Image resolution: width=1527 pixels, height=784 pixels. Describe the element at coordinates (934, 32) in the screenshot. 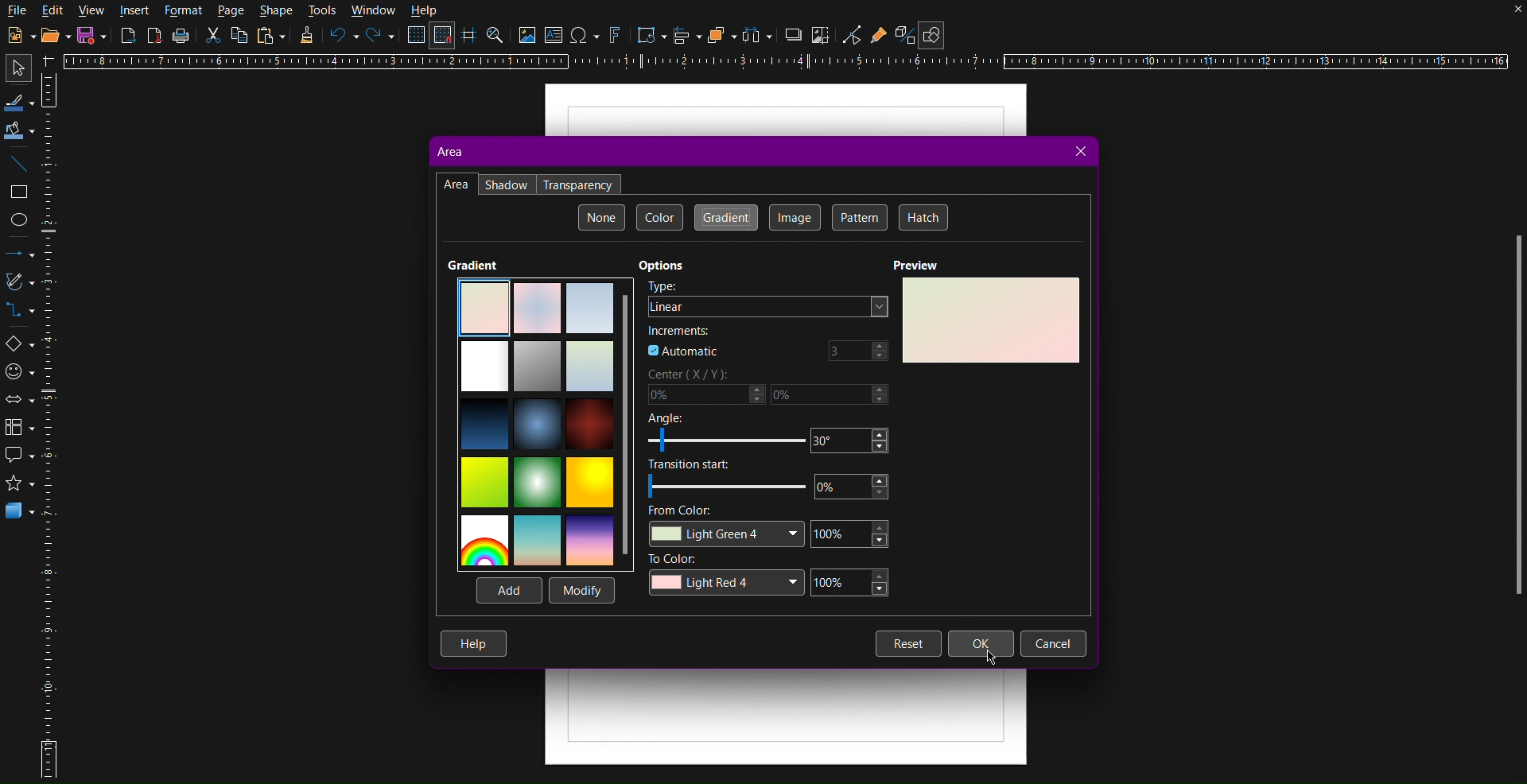

I see `Show Draw Functions` at that location.